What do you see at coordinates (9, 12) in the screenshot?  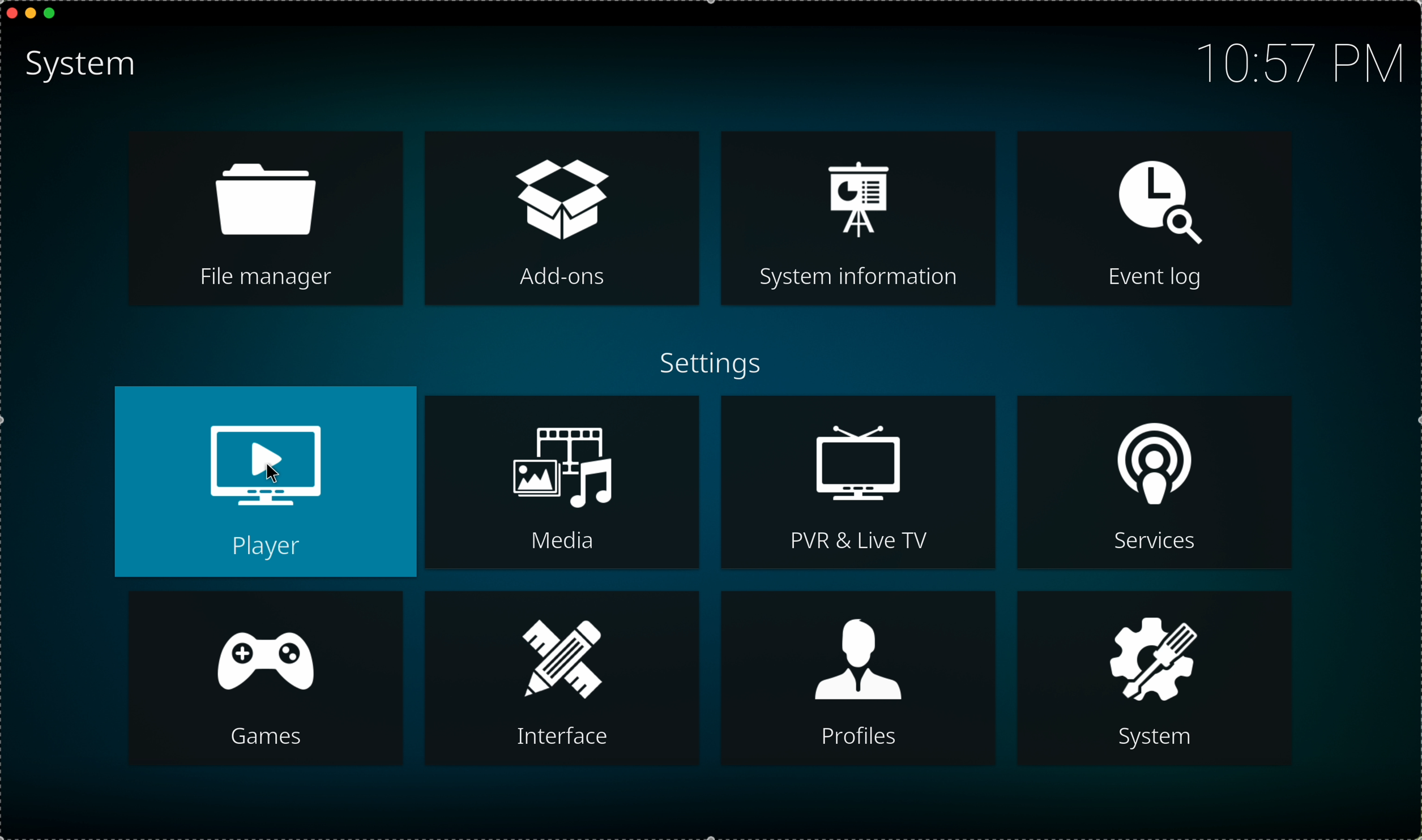 I see `close ` at bounding box center [9, 12].